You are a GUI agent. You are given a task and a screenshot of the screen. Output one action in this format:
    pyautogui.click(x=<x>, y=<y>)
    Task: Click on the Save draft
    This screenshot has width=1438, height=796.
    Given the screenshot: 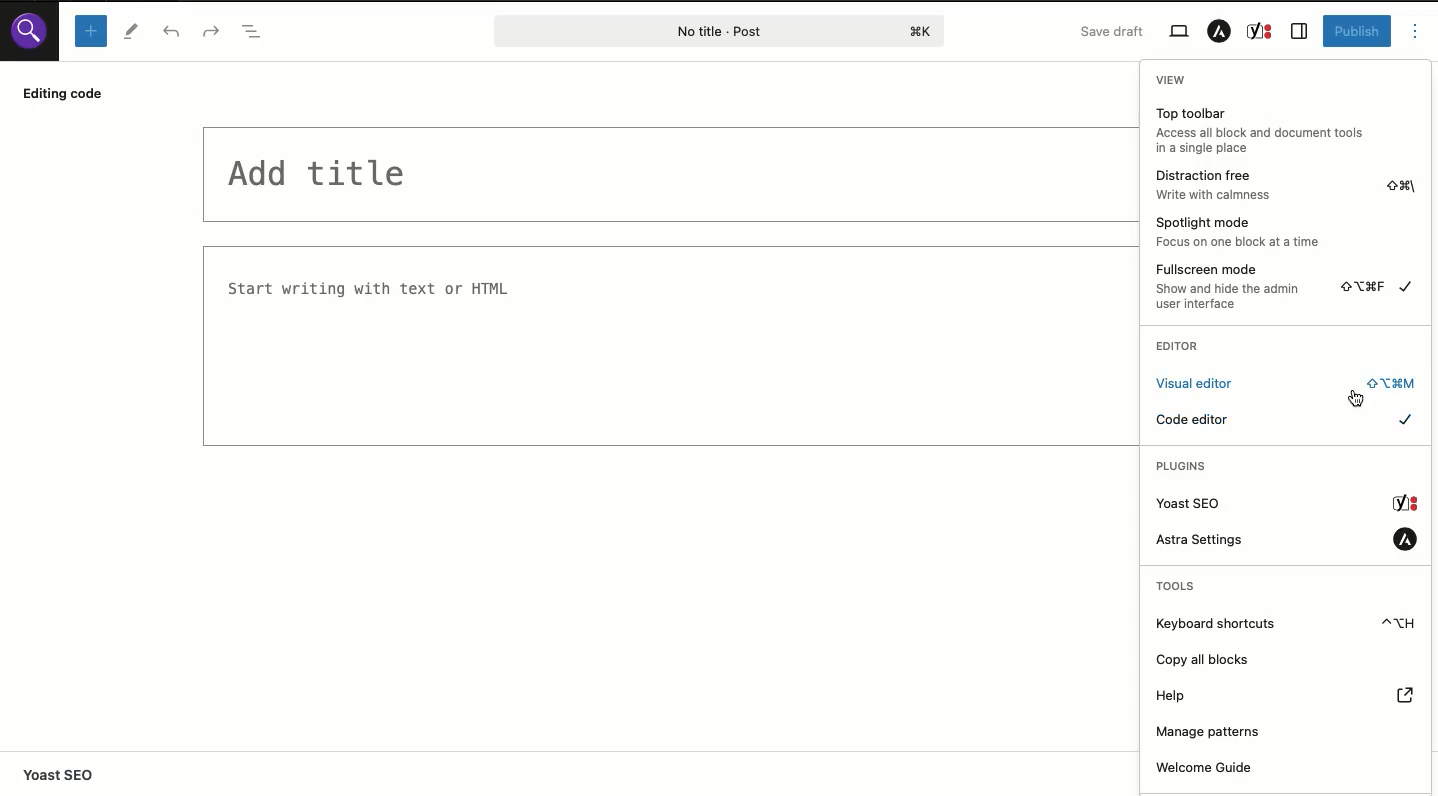 What is the action you would take?
    pyautogui.click(x=1114, y=31)
    